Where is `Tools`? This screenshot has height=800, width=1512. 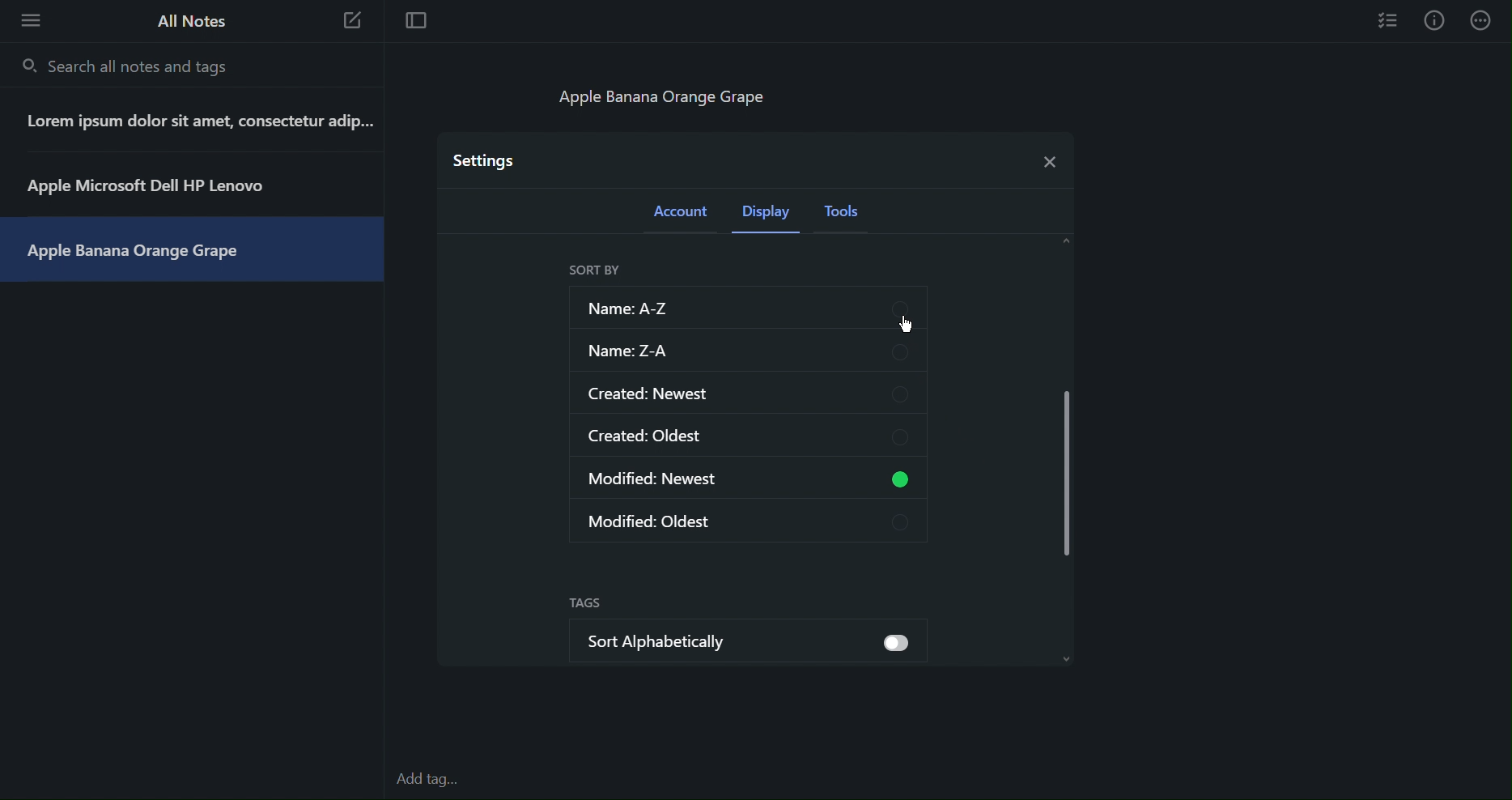
Tools is located at coordinates (847, 216).